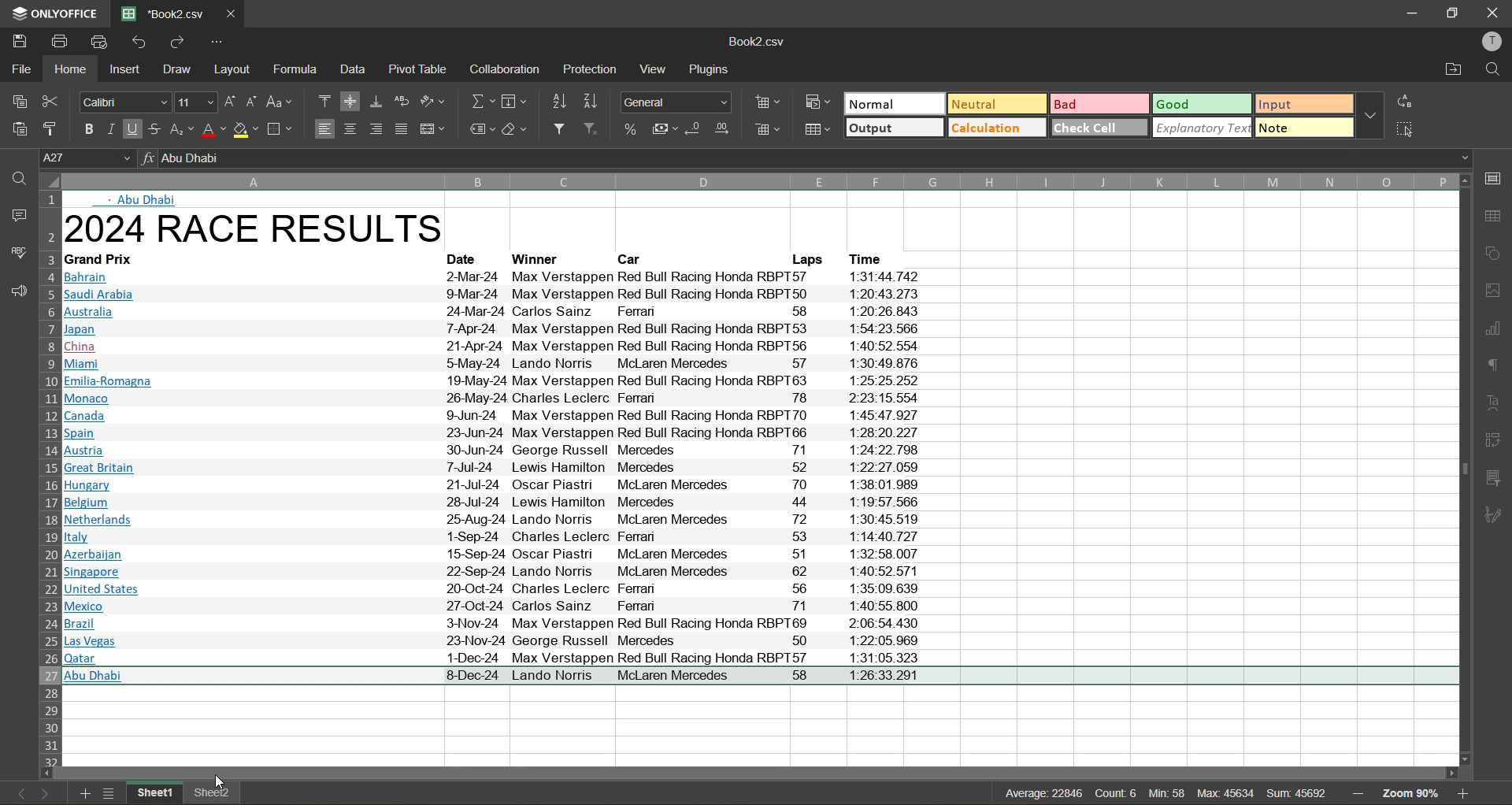 The image size is (1512, 805). Describe the element at coordinates (1303, 103) in the screenshot. I see `input` at that location.